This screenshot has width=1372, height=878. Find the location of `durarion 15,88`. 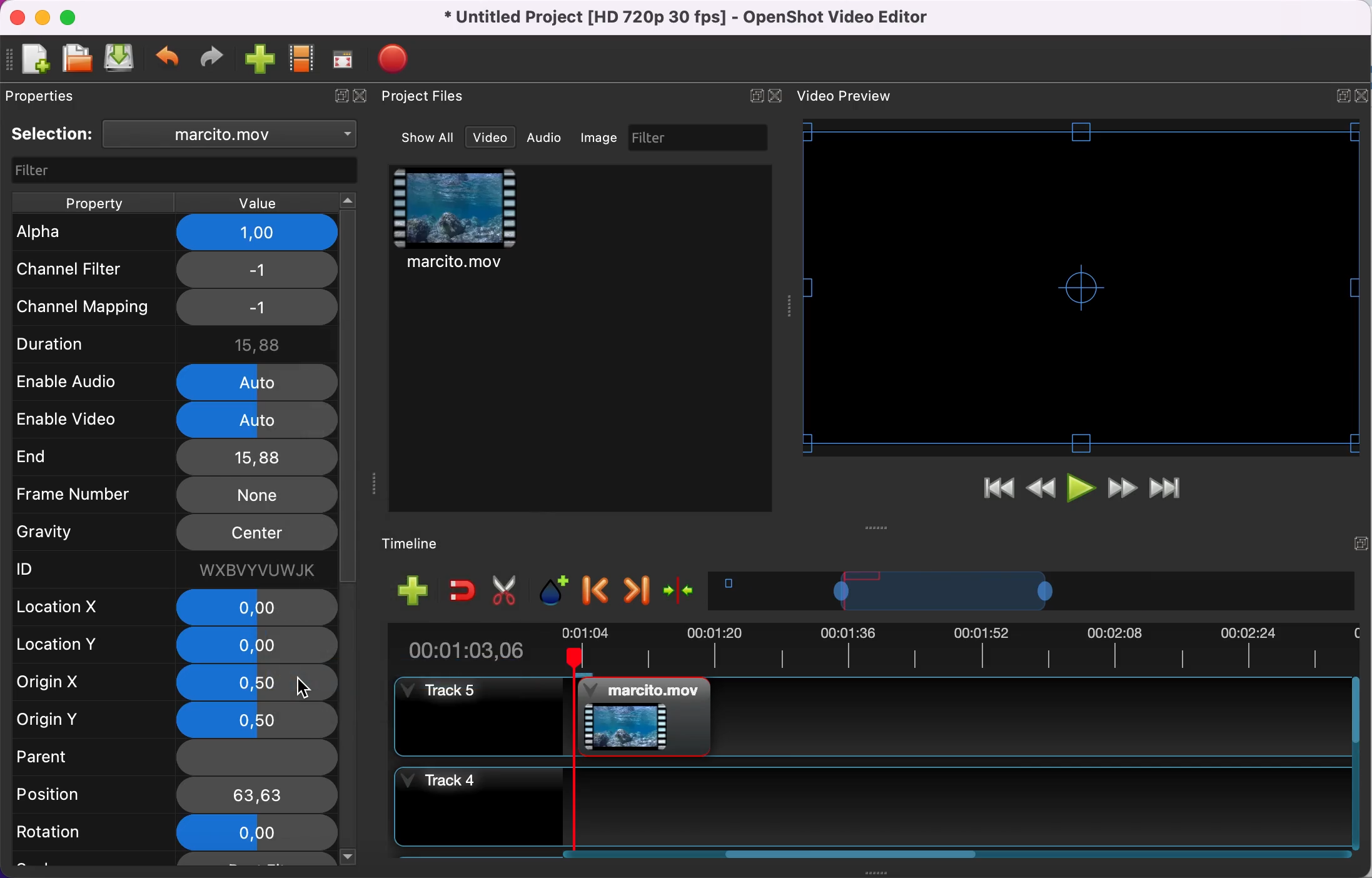

durarion 15,88 is located at coordinates (177, 342).